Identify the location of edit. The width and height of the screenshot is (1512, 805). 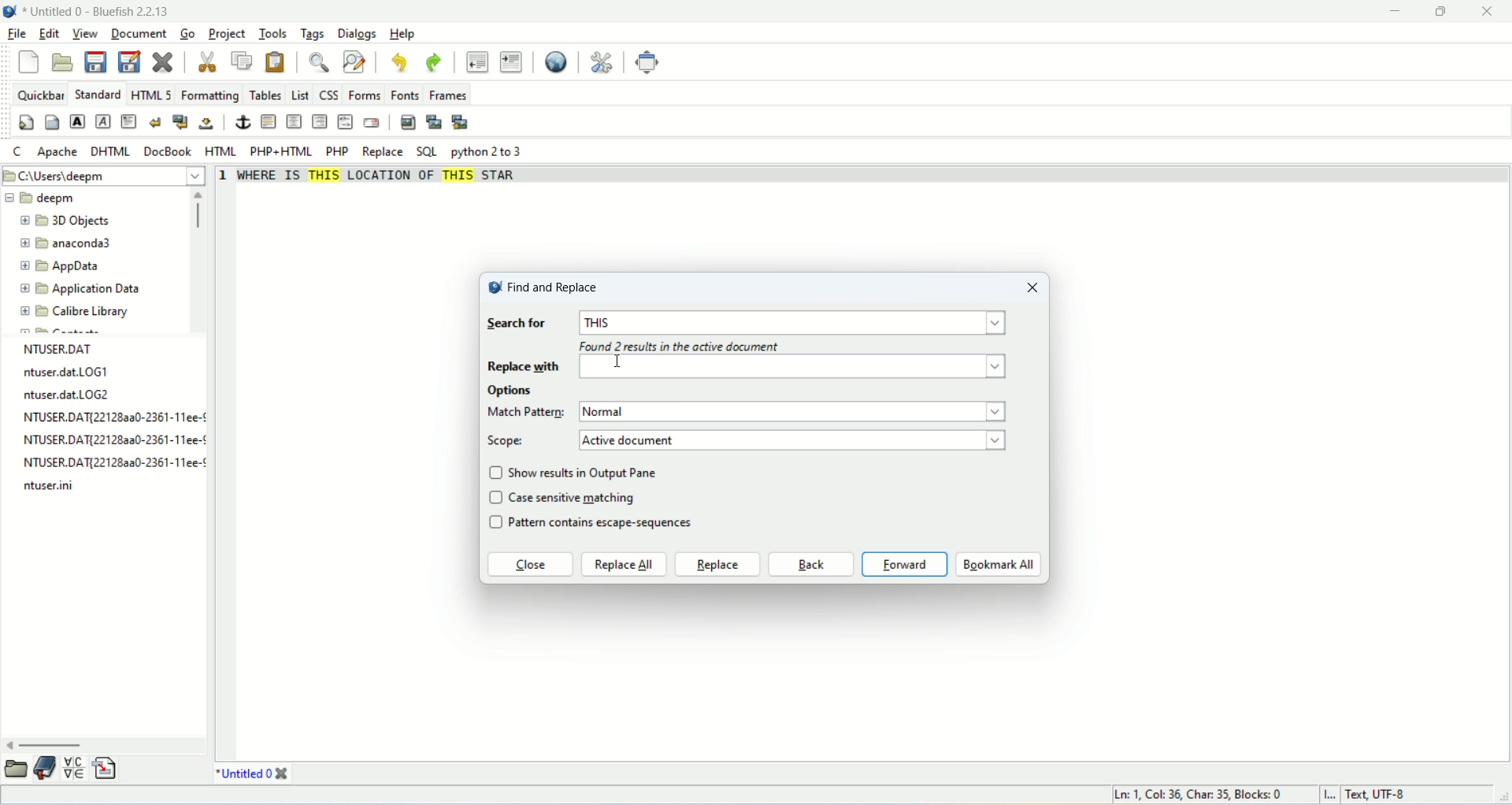
(48, 35).